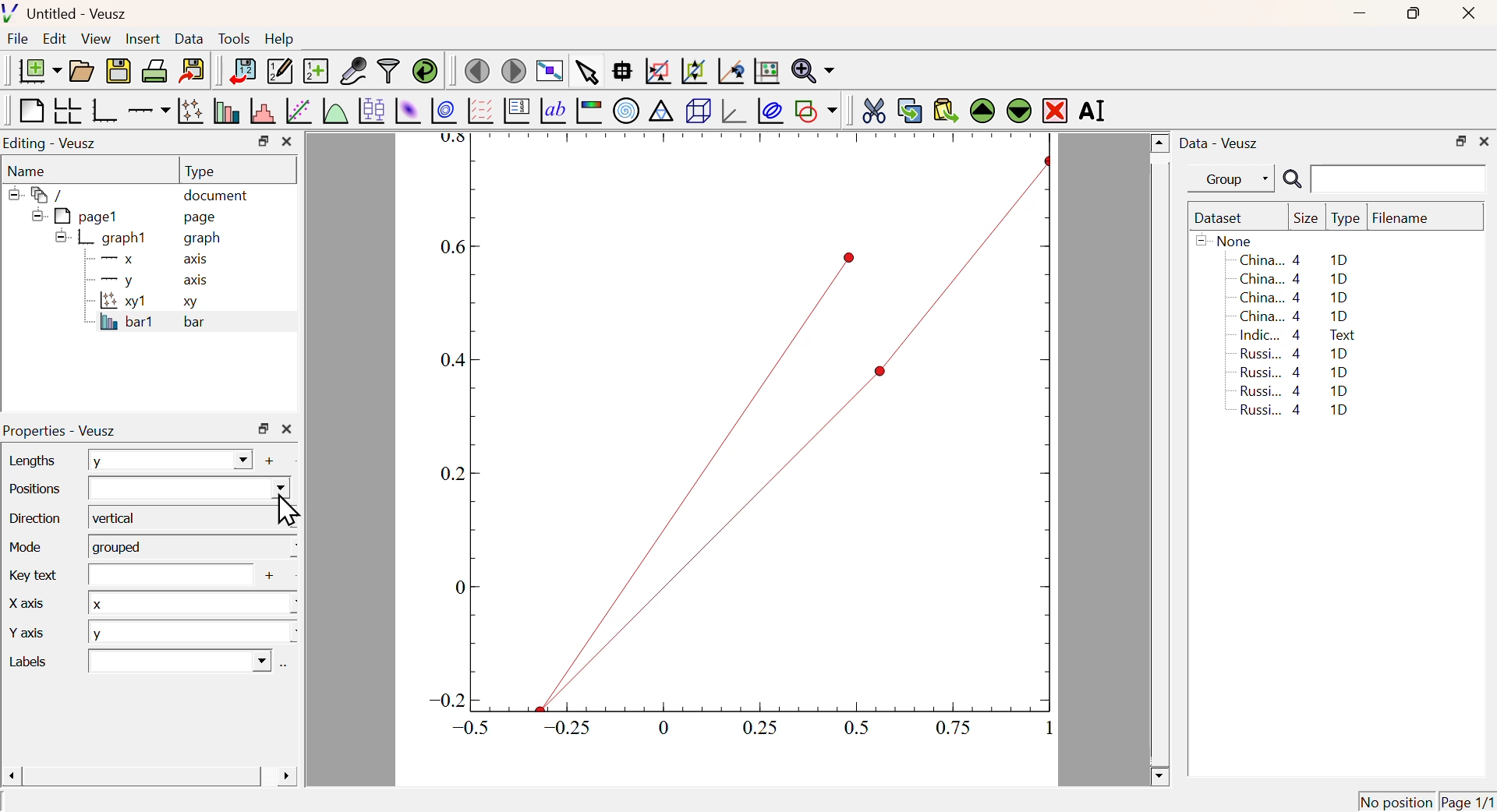  I want to click on China... 4 1D, so click(1297, 278).